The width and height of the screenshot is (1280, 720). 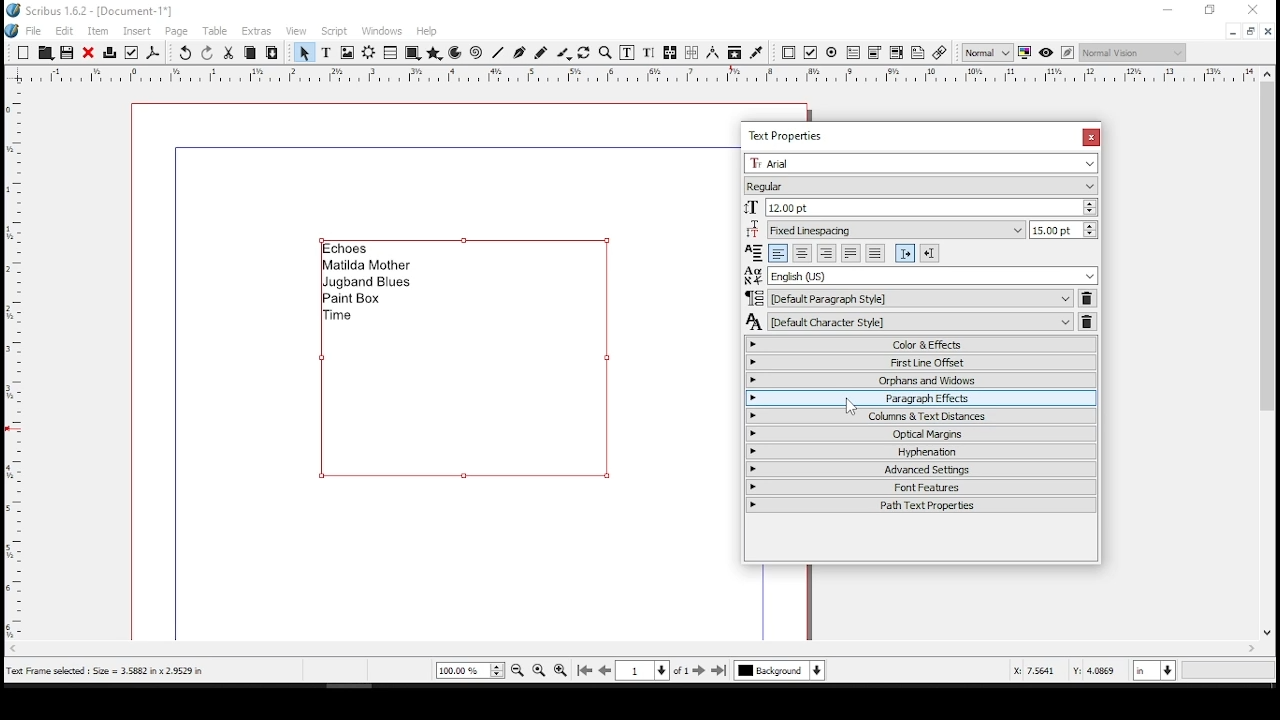 I want to click on restore, so click(x=1249, y=31).